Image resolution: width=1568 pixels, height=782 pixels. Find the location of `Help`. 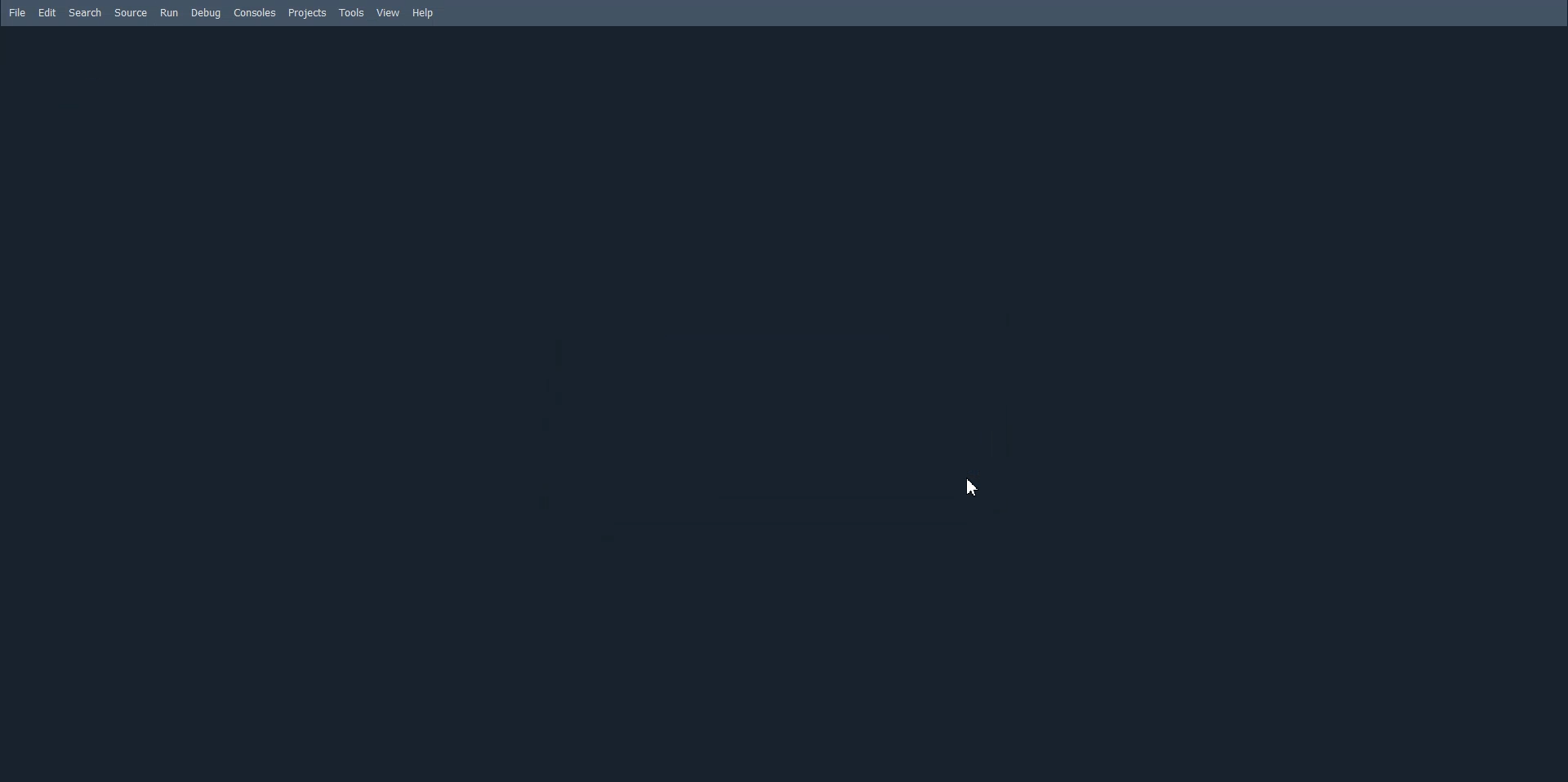

Help is located at coordinates (422, 13).